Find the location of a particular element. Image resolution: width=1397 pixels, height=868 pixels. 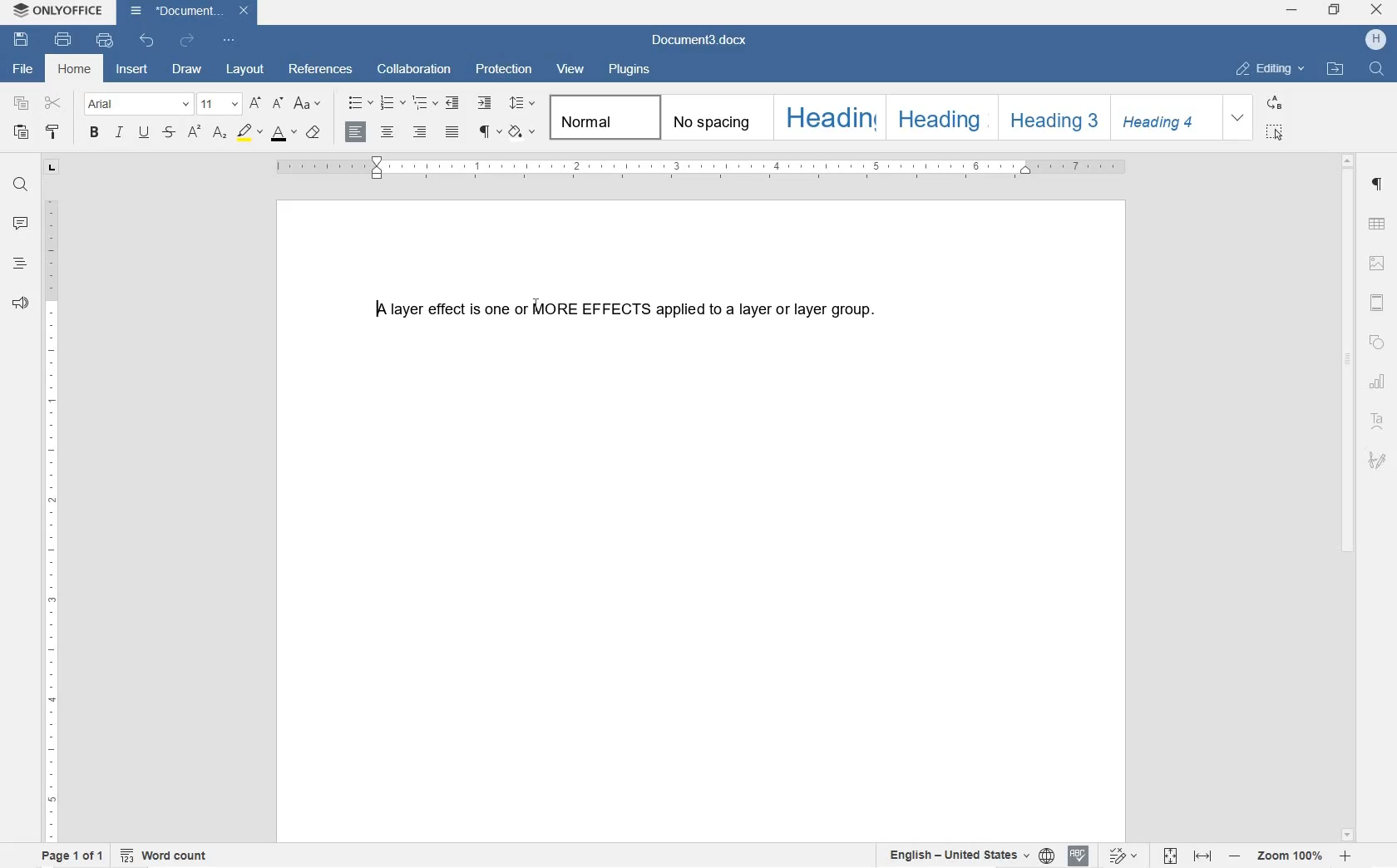

A layer effect is one or MORE EFFECTS applied to a layer or layer group. is located at coordinates (629, 309).